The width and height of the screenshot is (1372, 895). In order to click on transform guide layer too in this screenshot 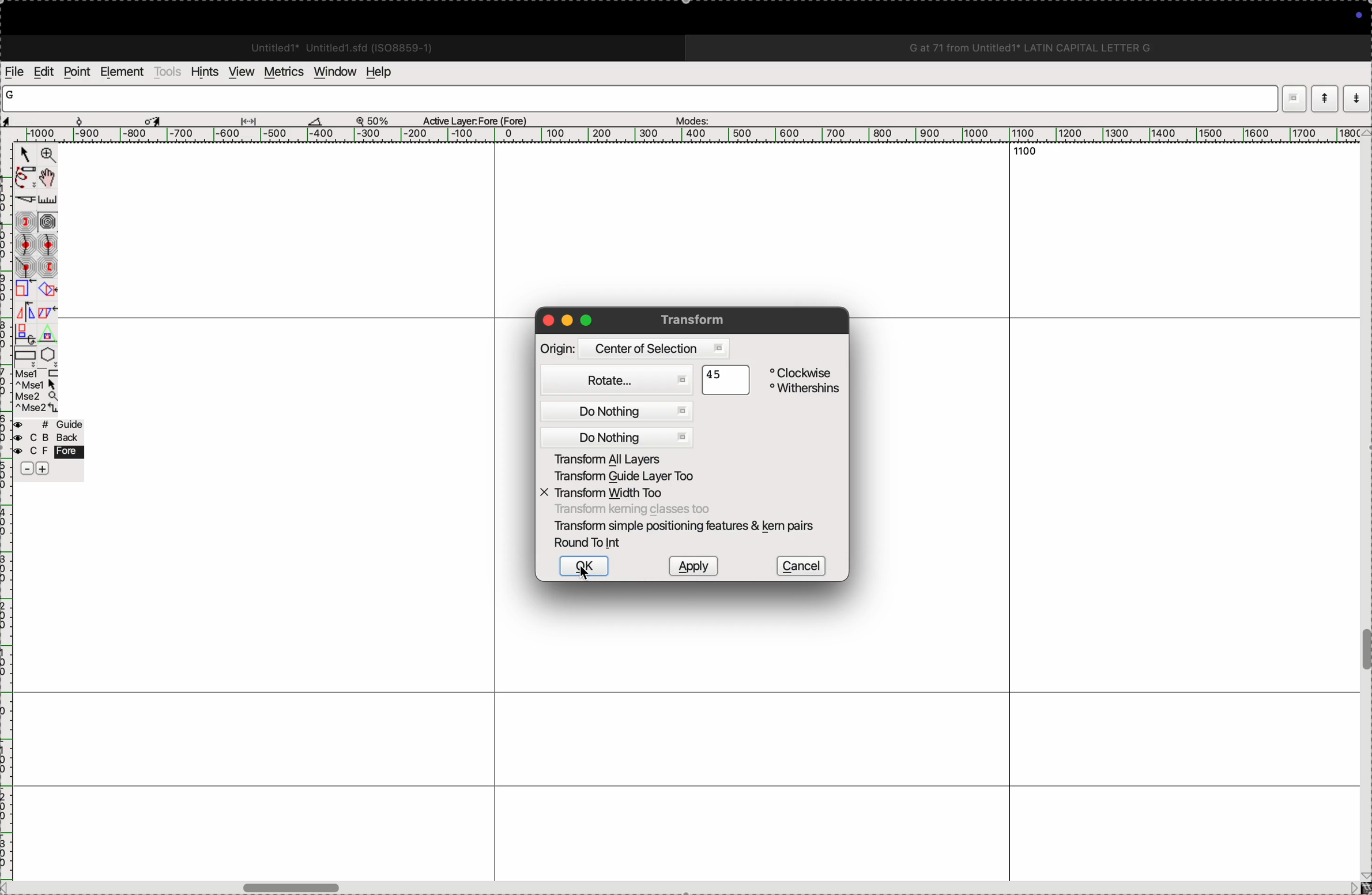, I will do `click(639, 476)`.